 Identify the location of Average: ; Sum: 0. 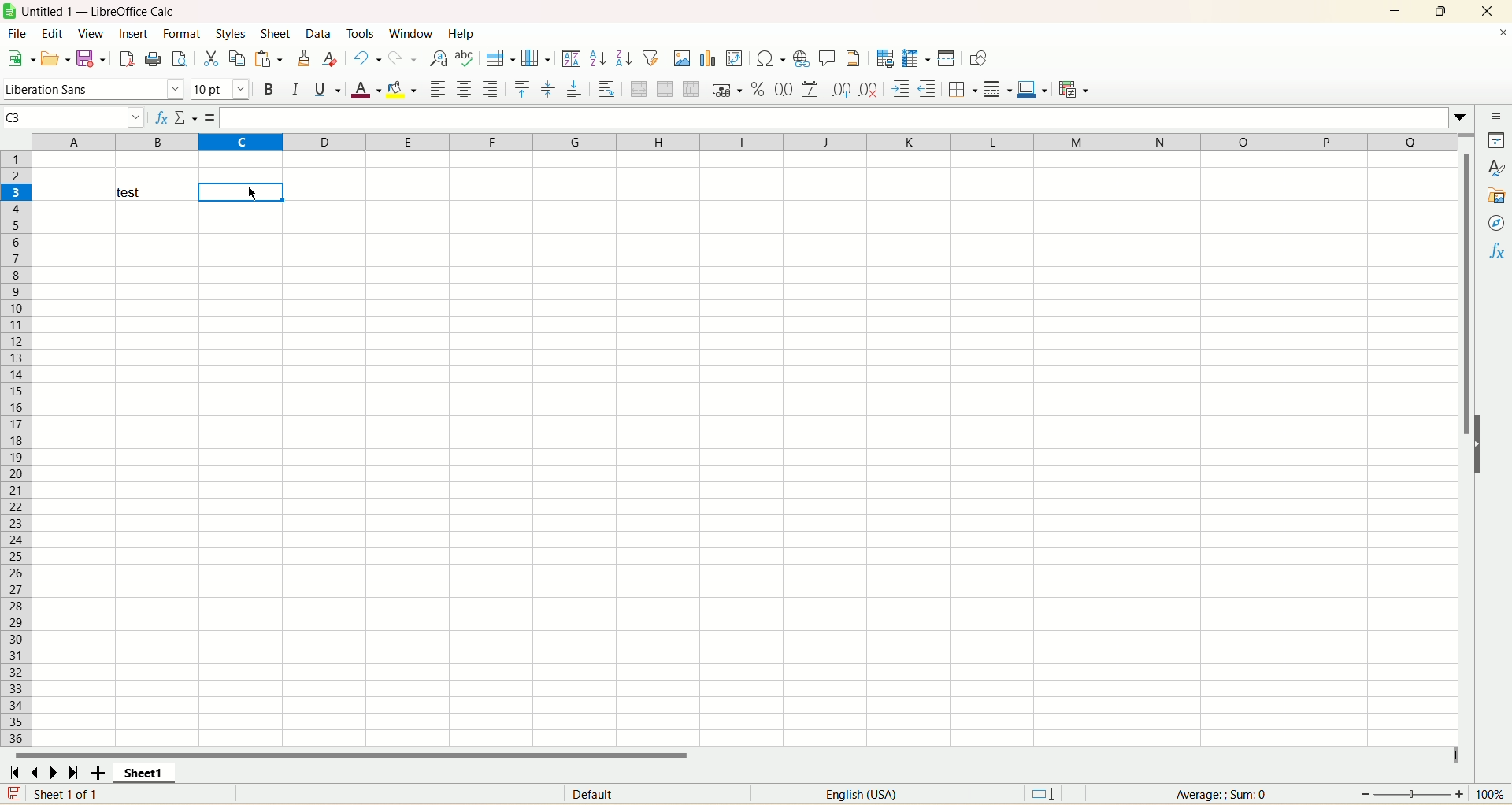
(1221, 795).